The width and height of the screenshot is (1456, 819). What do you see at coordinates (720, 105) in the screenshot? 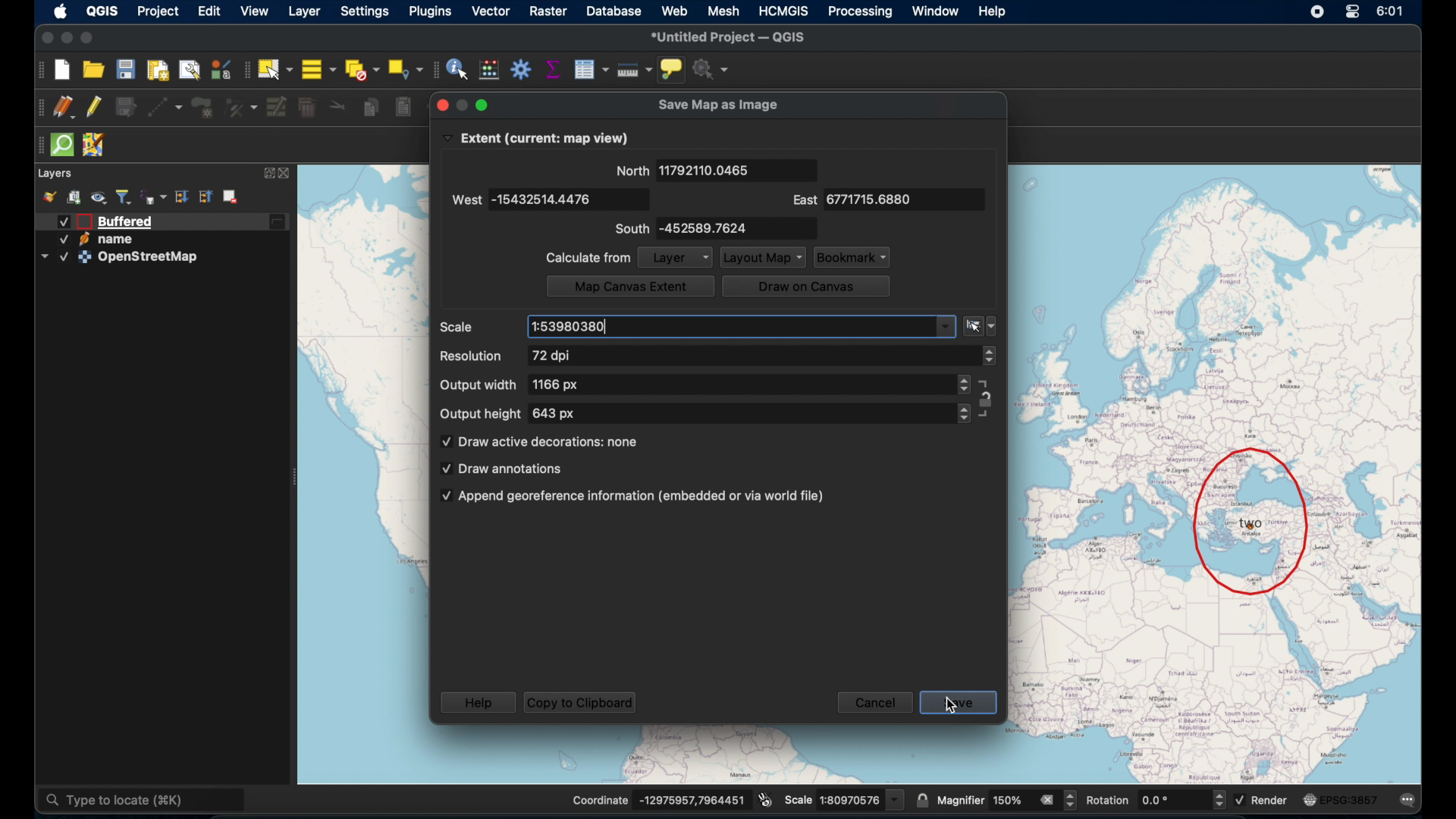
I see `save map as image` at bounding box center [720, 105].